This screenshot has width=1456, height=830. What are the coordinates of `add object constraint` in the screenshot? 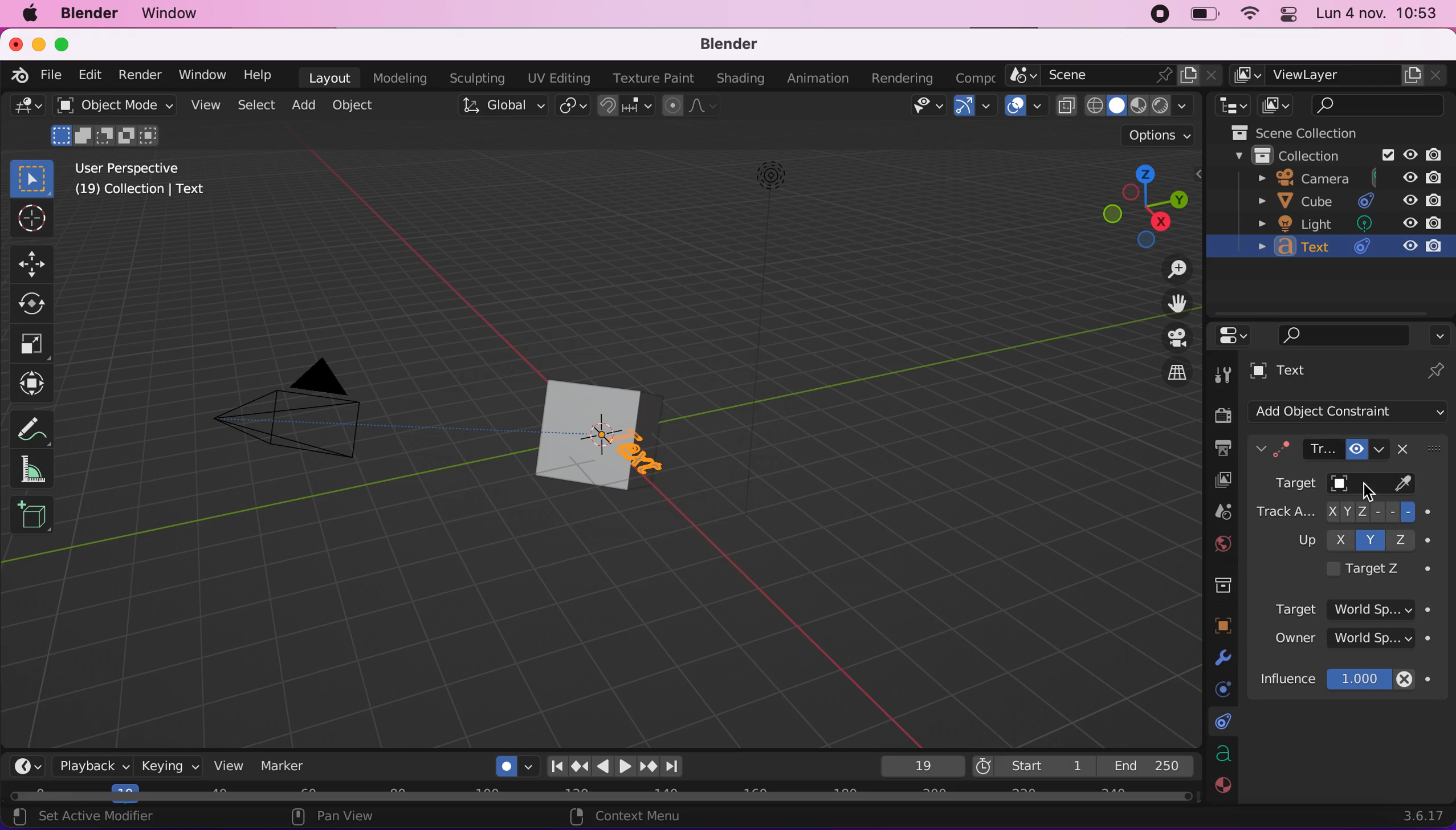 It's located at (1353, 412).